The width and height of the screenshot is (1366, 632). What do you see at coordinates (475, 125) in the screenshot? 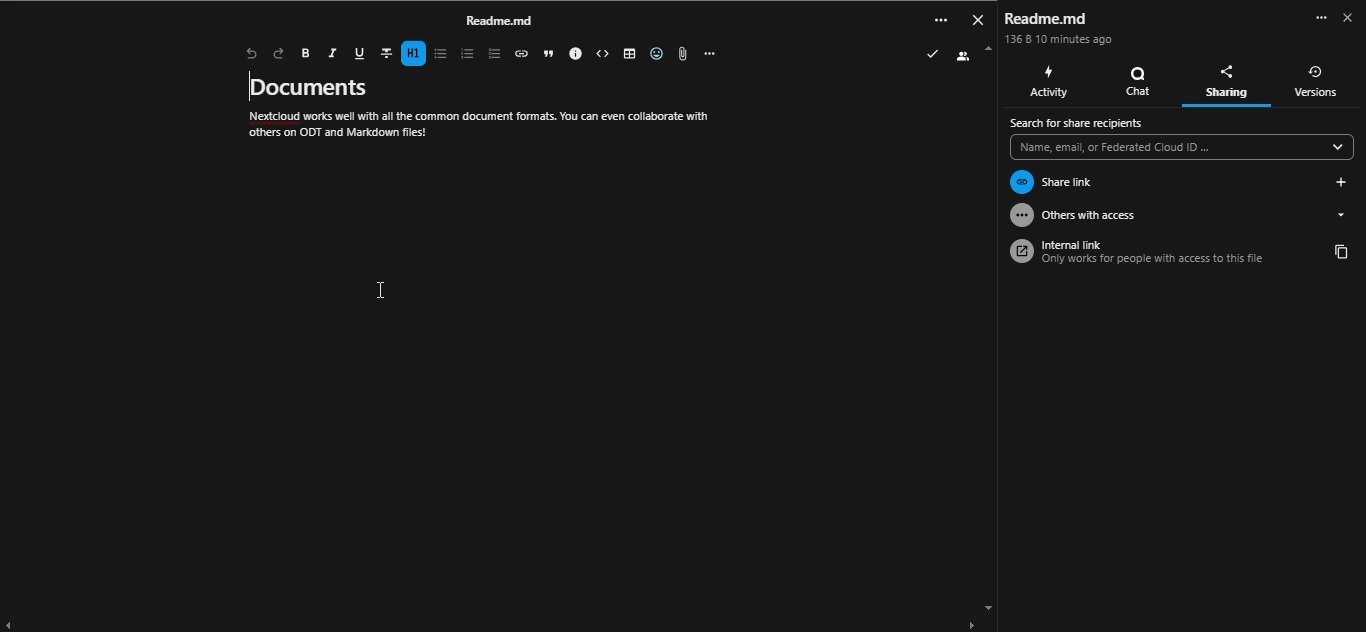
I see `Nextcloud works wel with all the common document formats. You can even collaborate with
others on ODT and Markdown files!` at bounding box center [475, 125].